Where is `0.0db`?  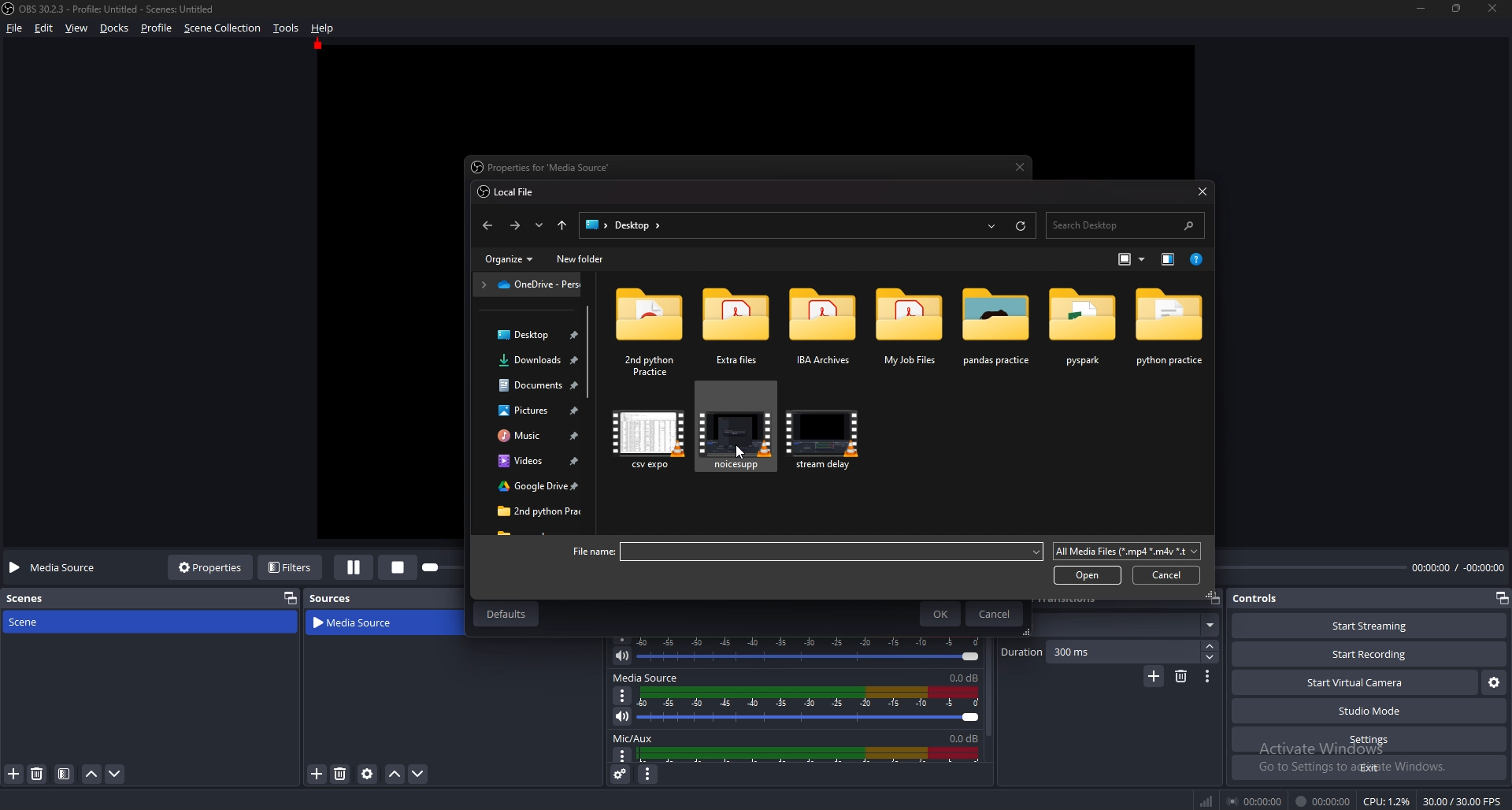
0.0db is located at coordinates (966, 676).